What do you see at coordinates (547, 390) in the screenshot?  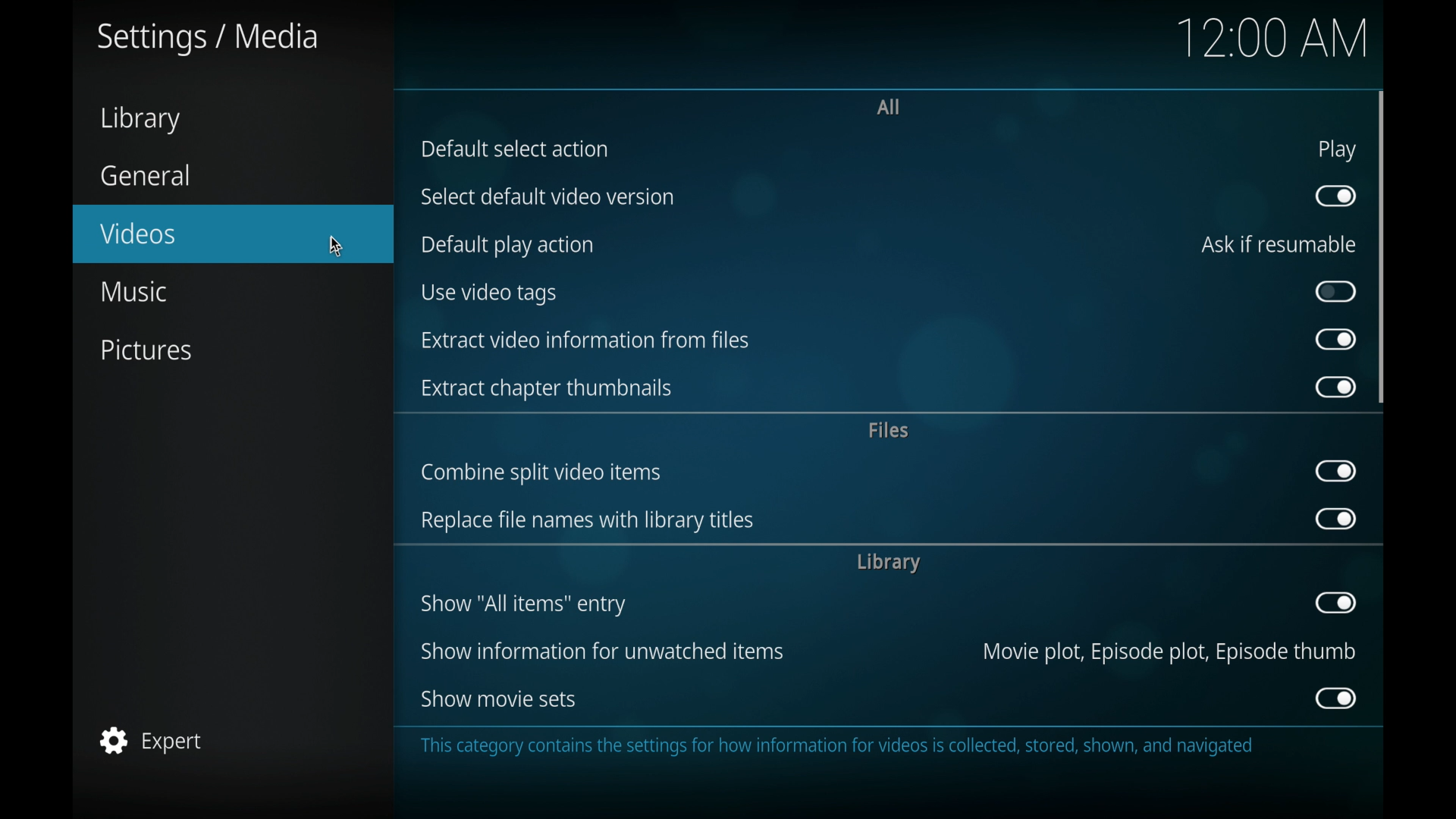 I see `extract chapter thumbnails` at bounding box center [547, 390].